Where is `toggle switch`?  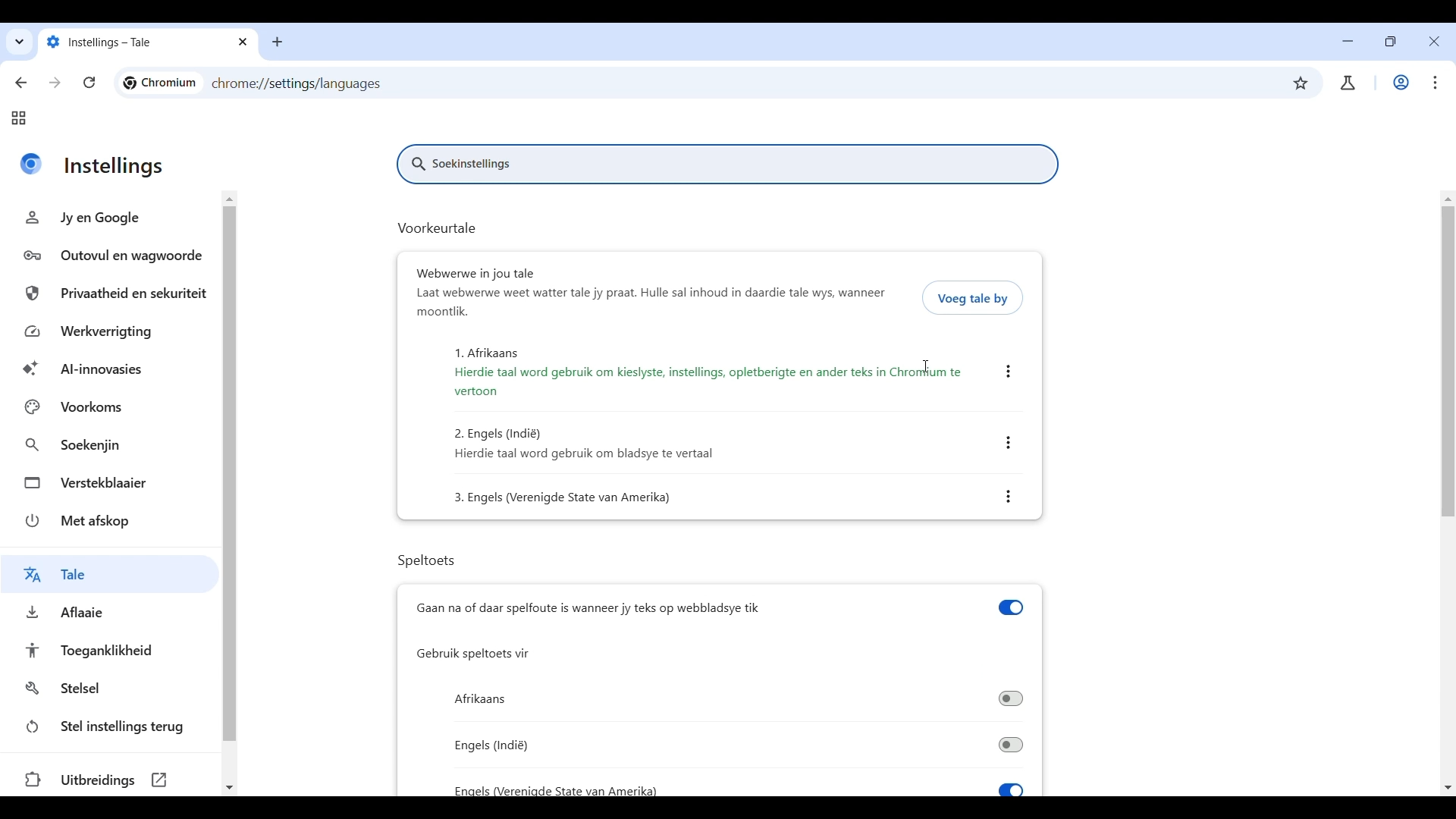 toggle switch is located at coordinates (1003, 608).